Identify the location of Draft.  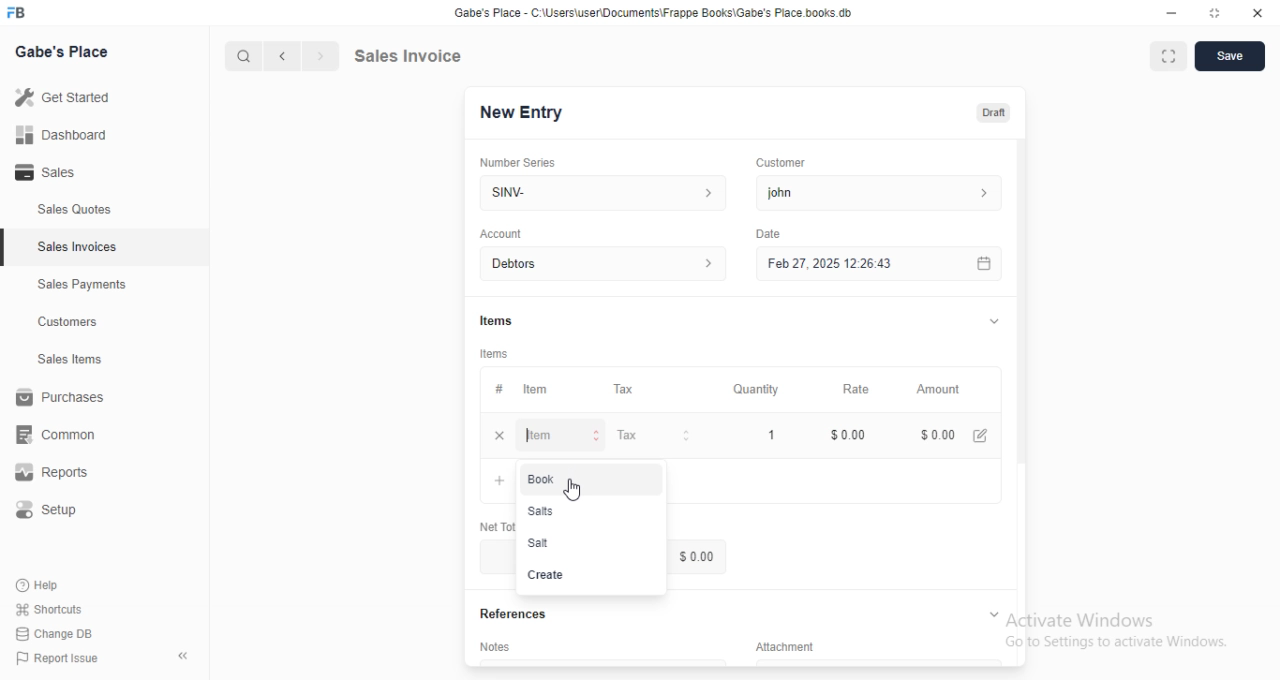
(995, 113).